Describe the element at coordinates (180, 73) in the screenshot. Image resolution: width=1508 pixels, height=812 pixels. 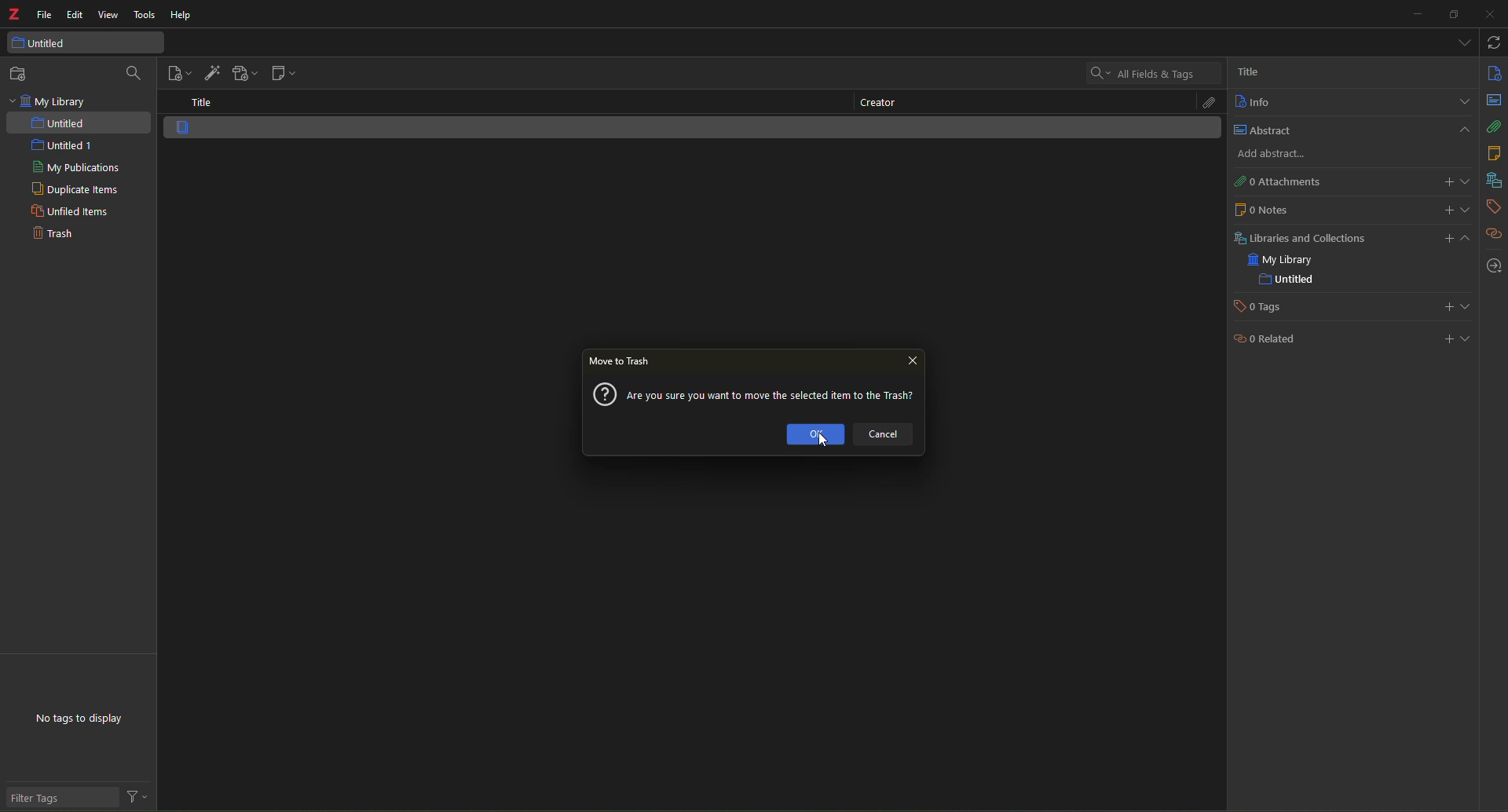
I see `new item` at that location.